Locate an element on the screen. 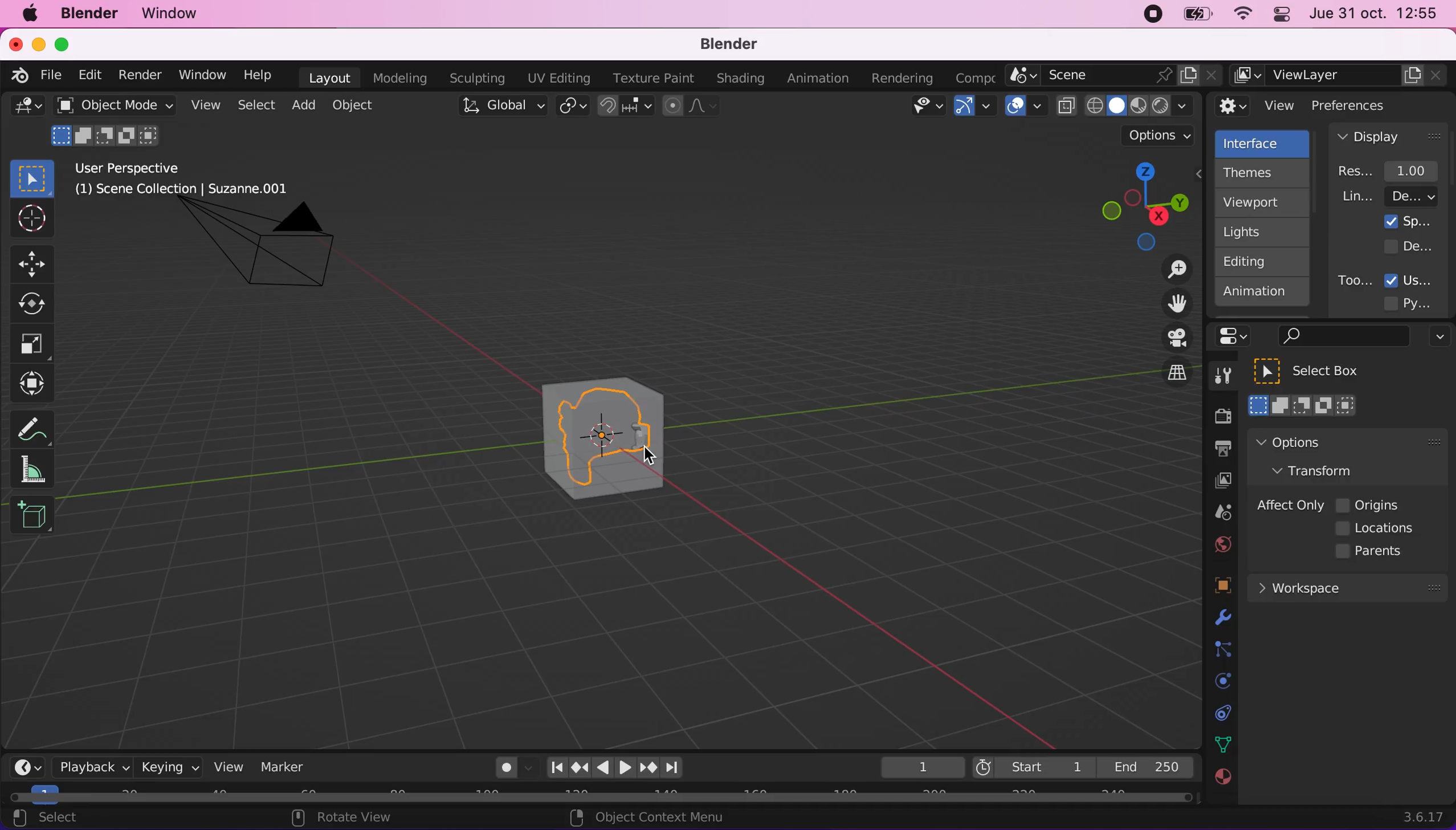 This screenshot has height=830, width=1456. blender is located at coordinates (88, 14).